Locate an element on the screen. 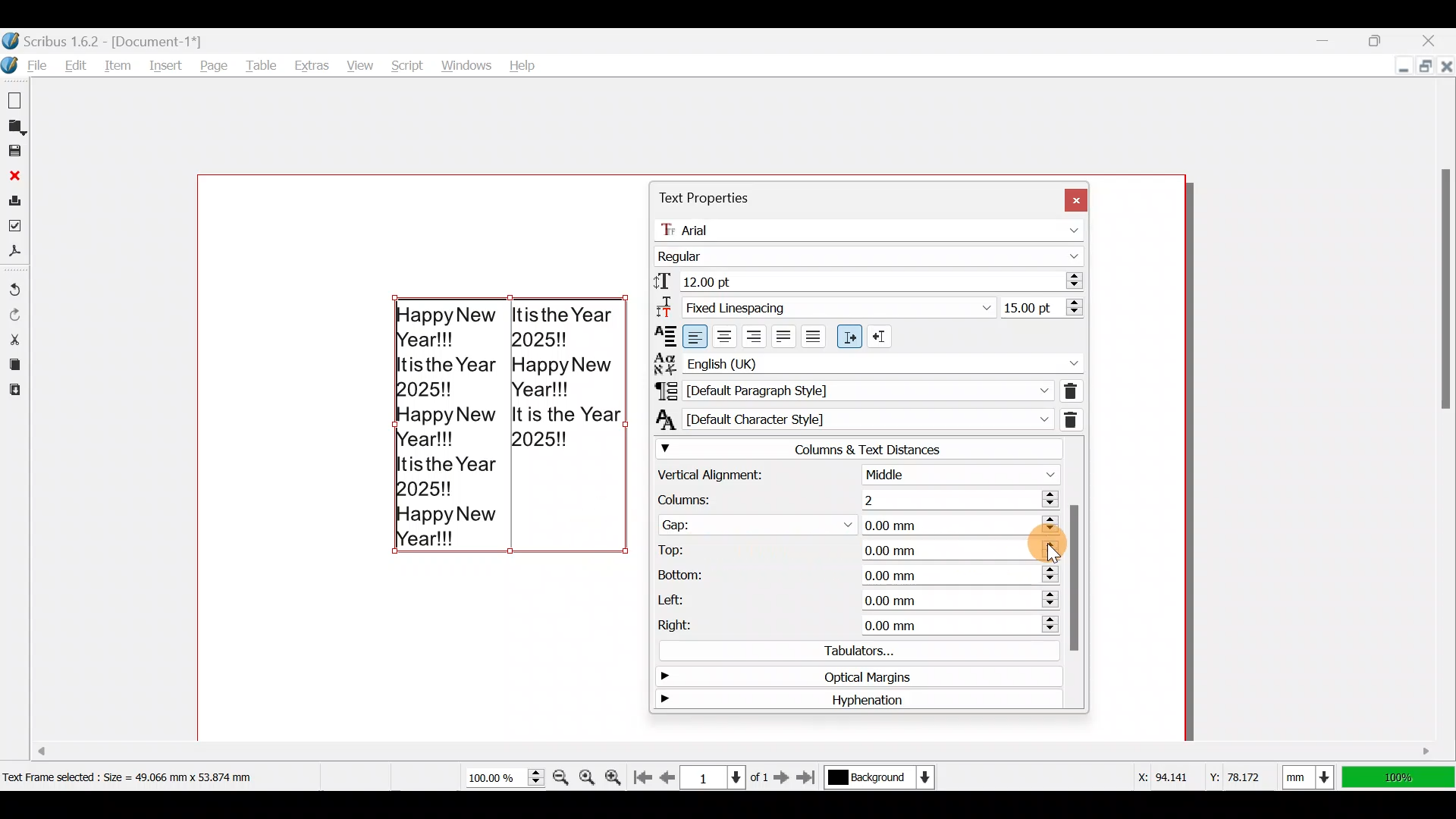 The height and width of the screenshot is (819, 1456). Happy New Year is located at coordinates (511, 436).